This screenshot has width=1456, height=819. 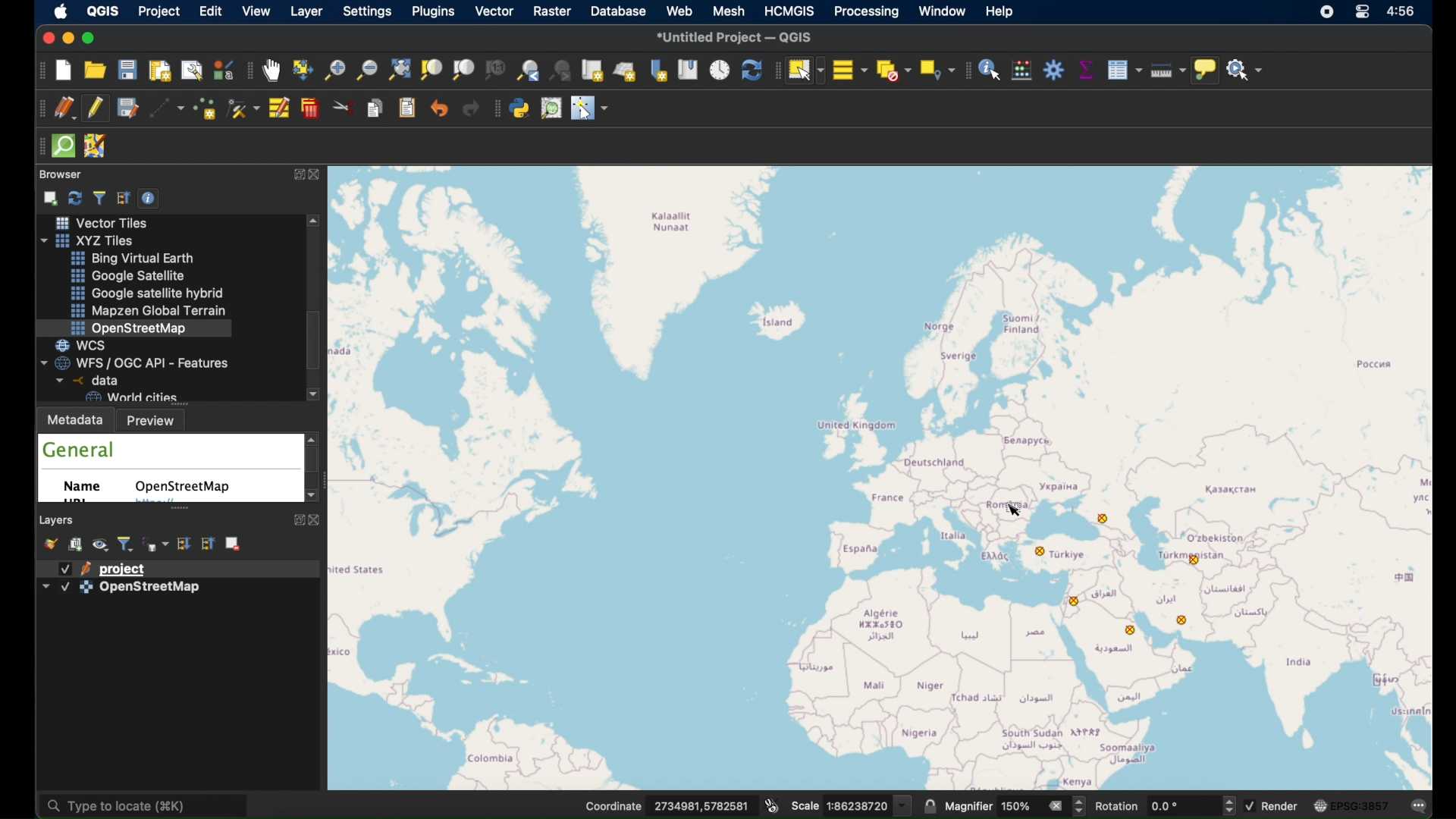 What do you see at coordinates (727, 10) in the screenshot?
I see `mesh` at bounding box center [727, 10].